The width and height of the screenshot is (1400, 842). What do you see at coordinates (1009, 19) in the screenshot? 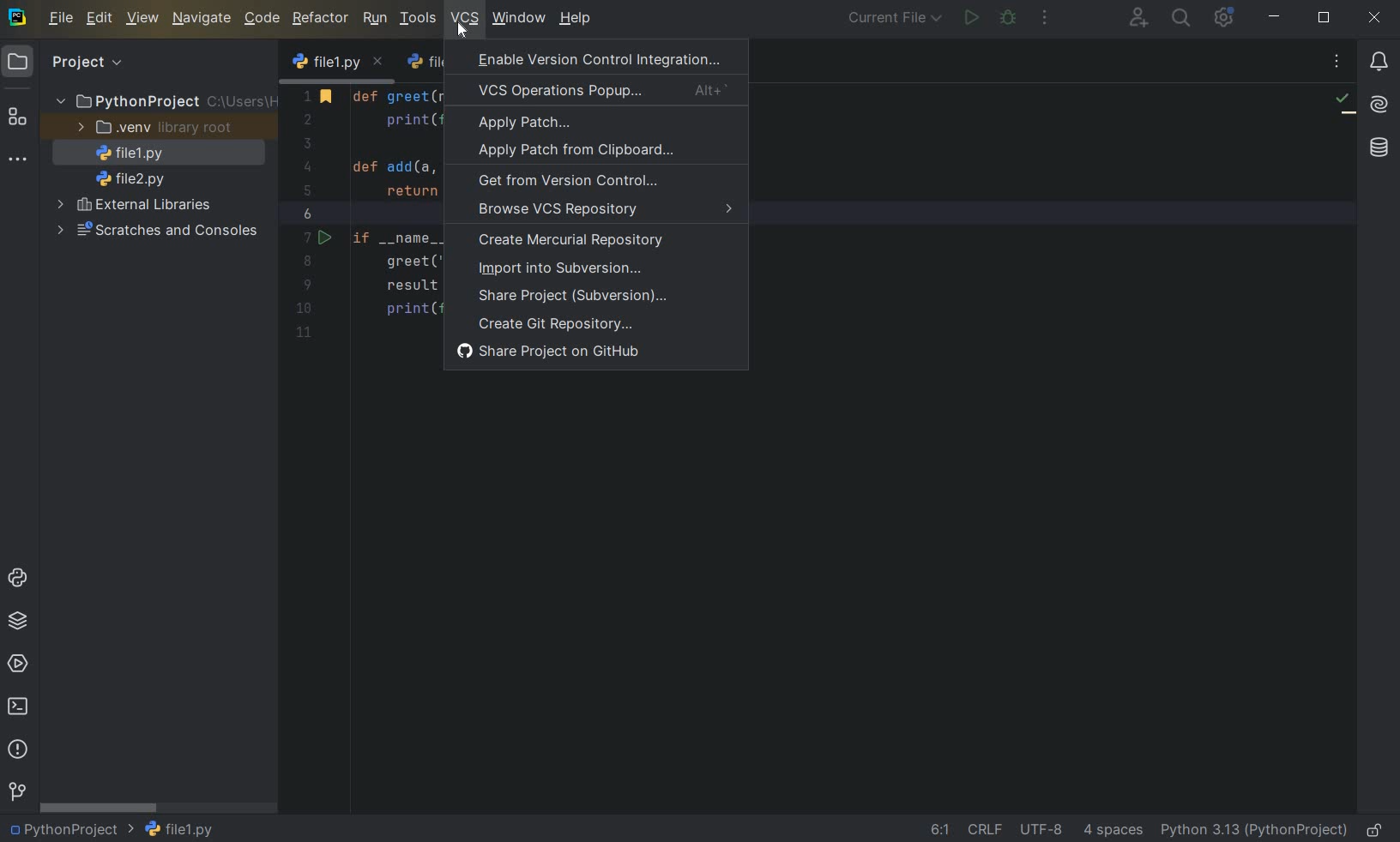
I see `debug` at bounding box center [1009, 19].